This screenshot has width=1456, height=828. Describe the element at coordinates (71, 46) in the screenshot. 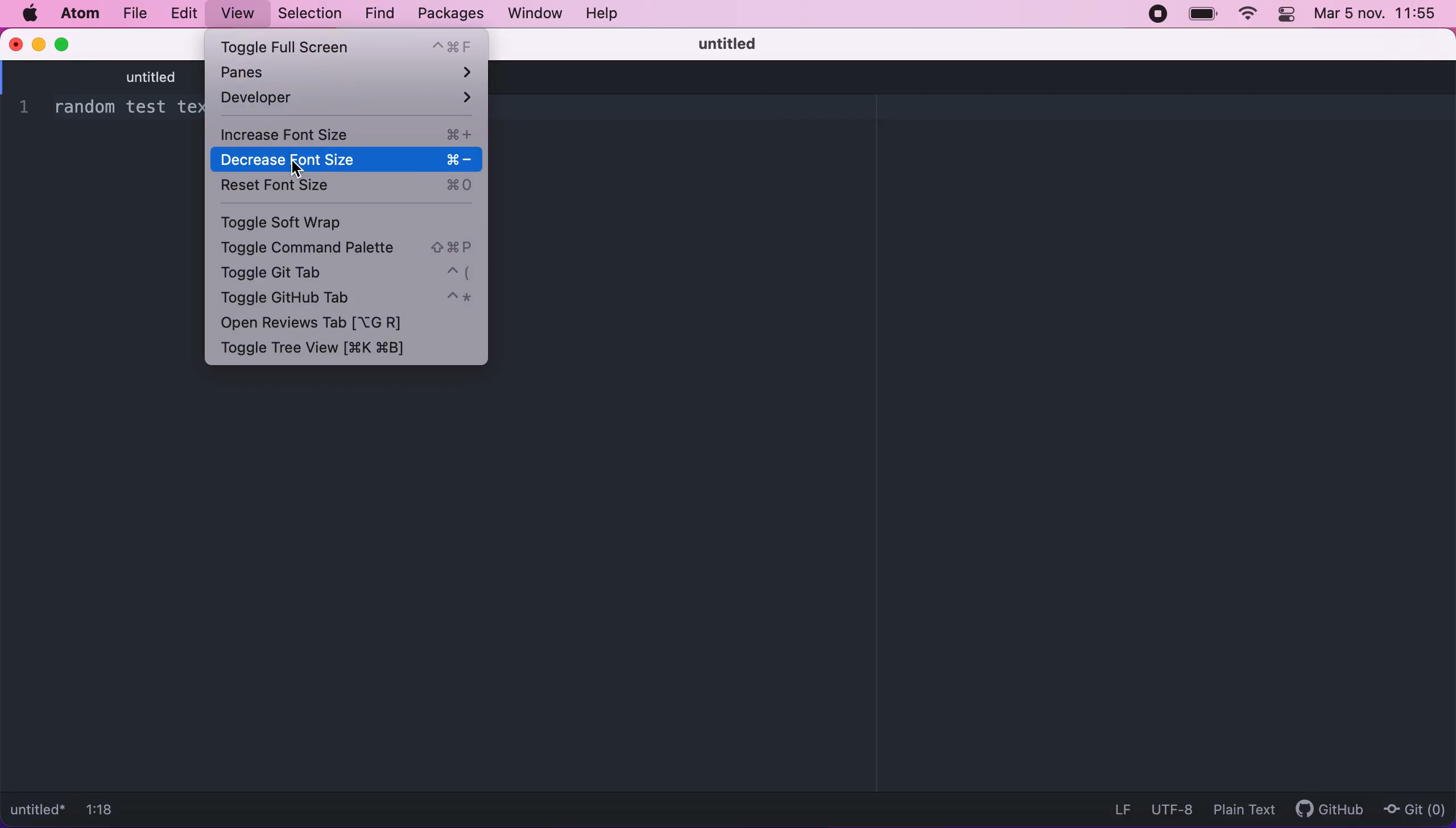

I see `maximize` at that location.